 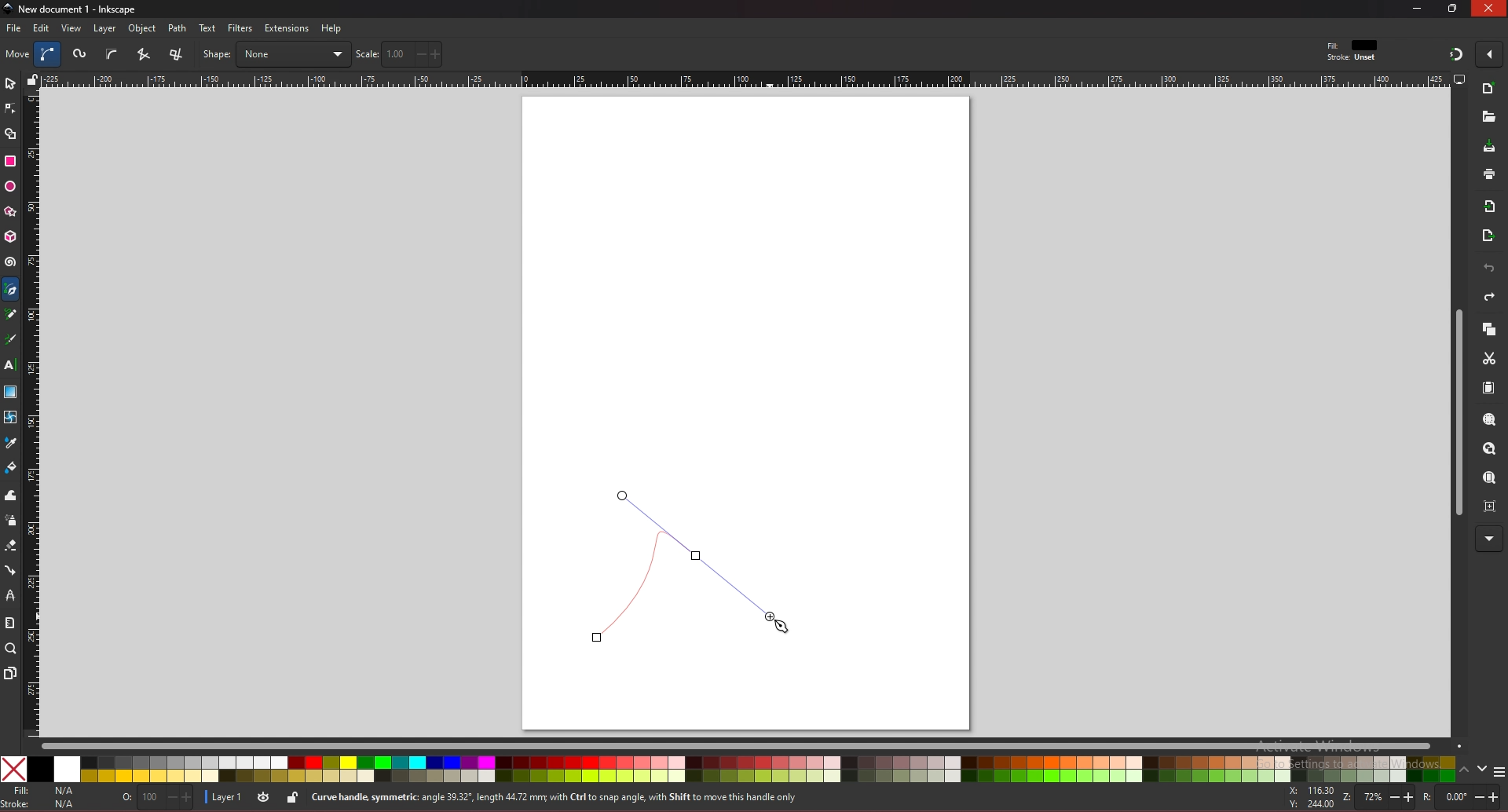 What do you see at coordinates (1489, 297) in the screenshot?
I see `redo` at bounding box center [1489, 297].